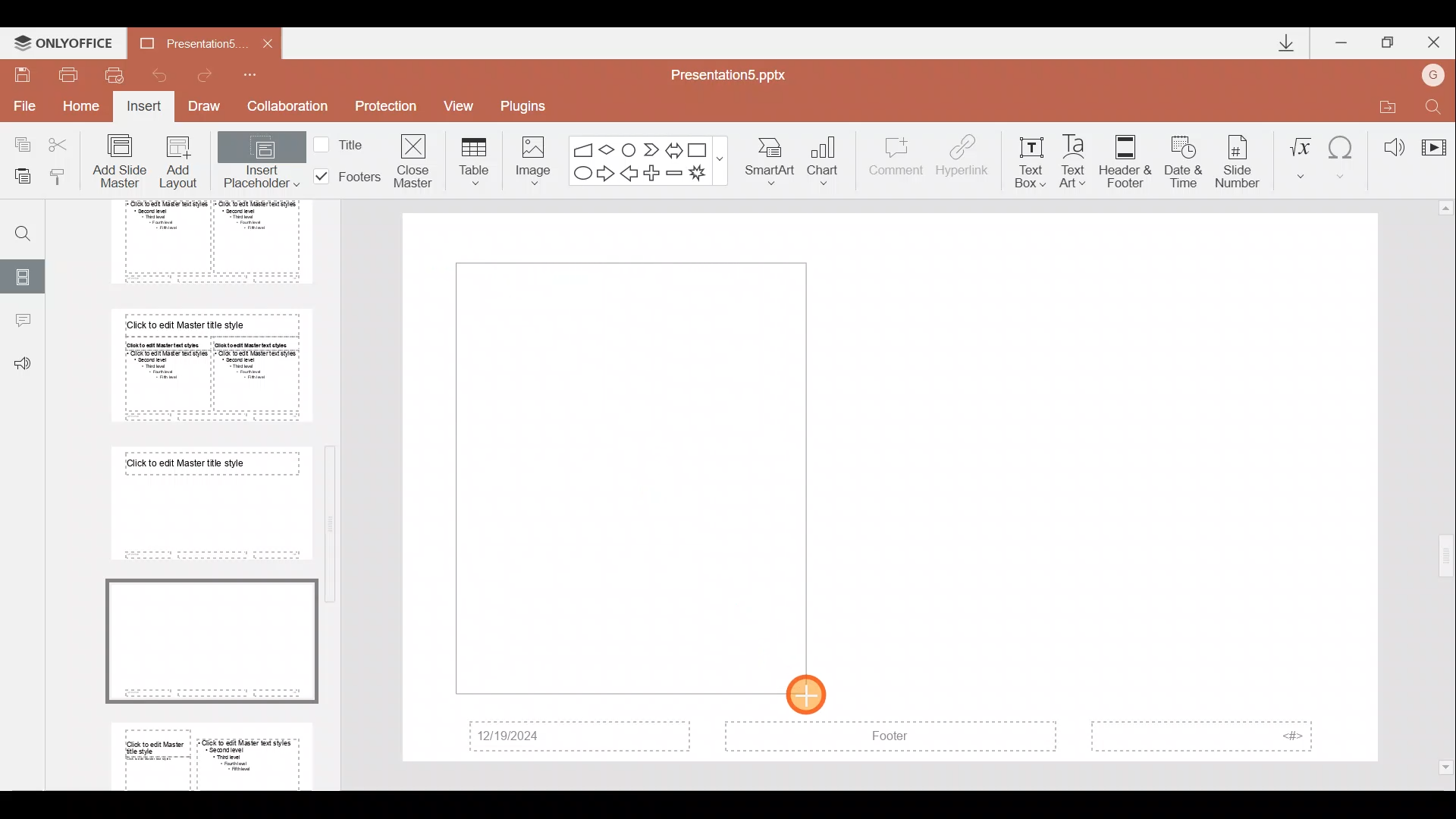 The image size is (1456, 819). I want to click on Downloads, so click(1280, 42).